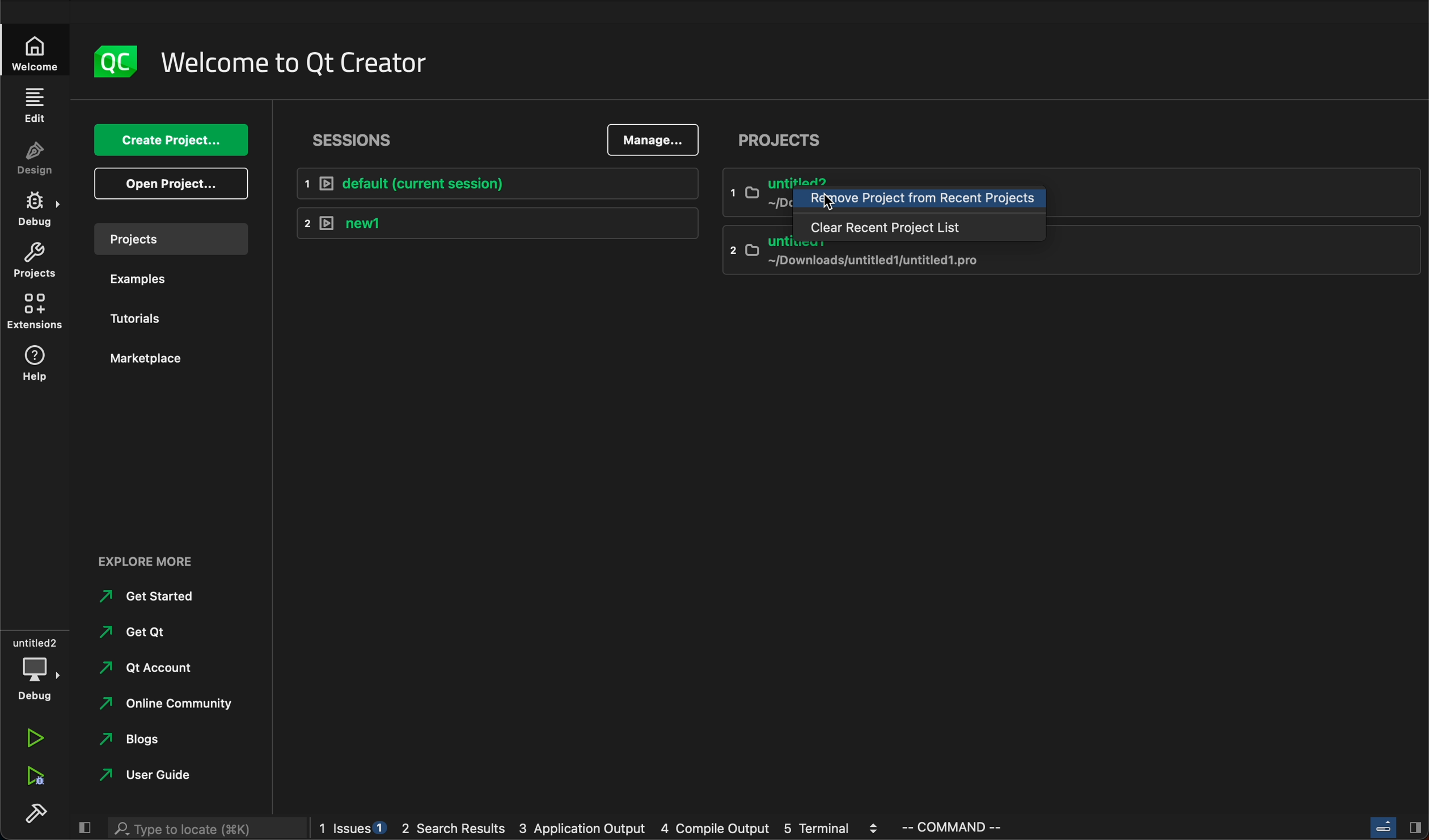 The image size is (1429, 840). What do you see at coordinates (155, 631) in the screenshot?
I see `get qt` at bounding box center [155, 631].